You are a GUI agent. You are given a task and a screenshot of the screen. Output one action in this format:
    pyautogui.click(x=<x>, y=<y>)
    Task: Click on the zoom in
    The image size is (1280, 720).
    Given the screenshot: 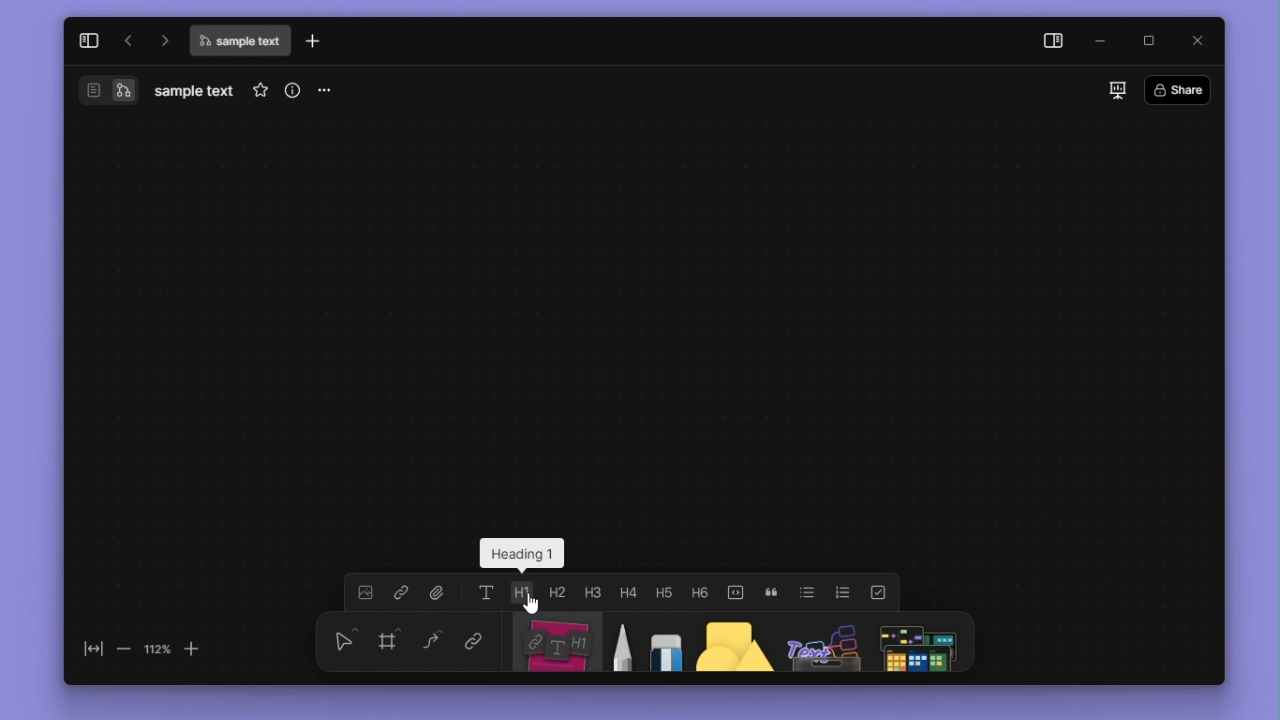 What is the action you would take?
    pyautogui.click(x=191, y=650)
    